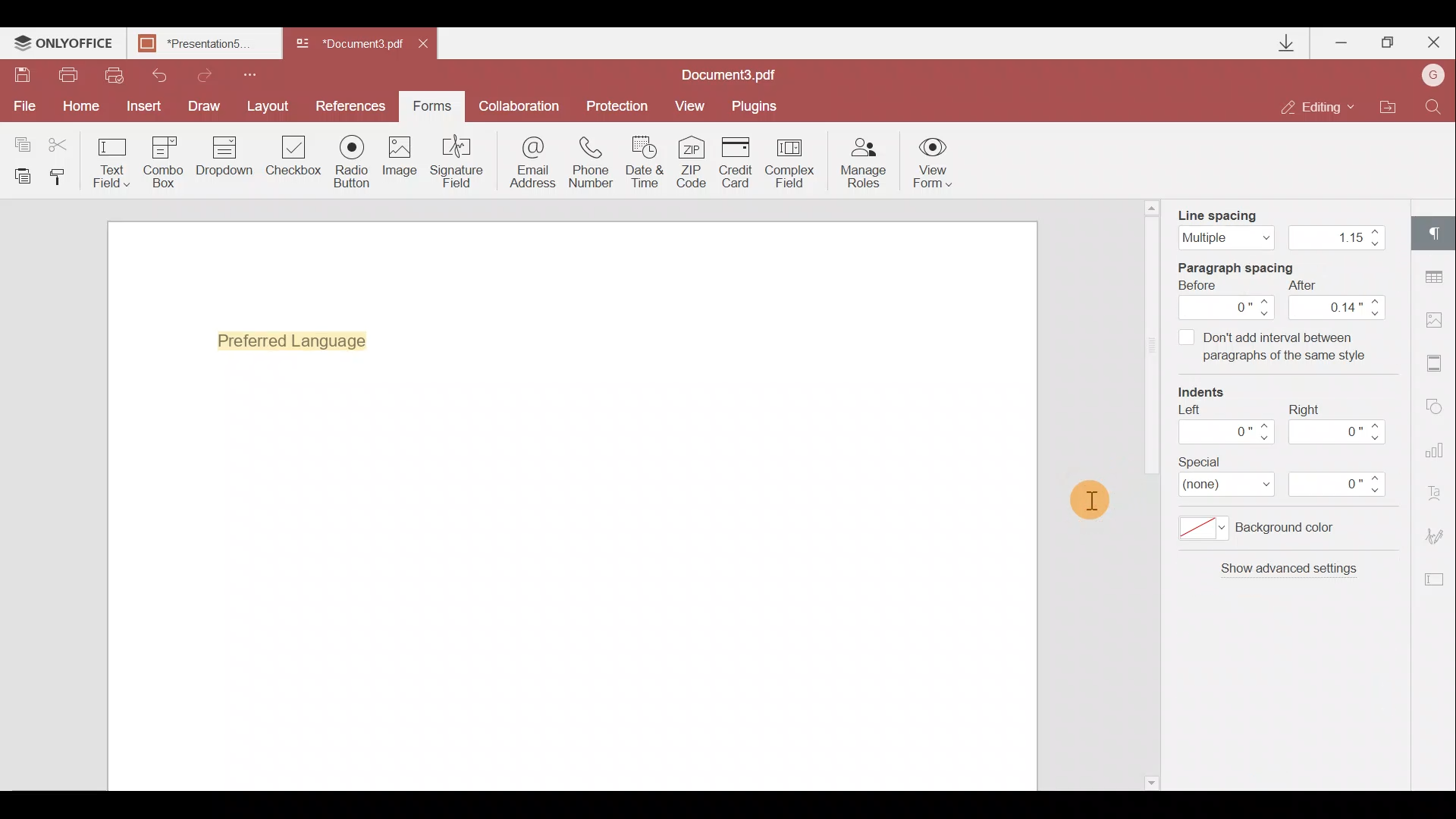 This screenshot has width=1456, height=819. I want to click on Paragraph spacing, so click(1242, 267).